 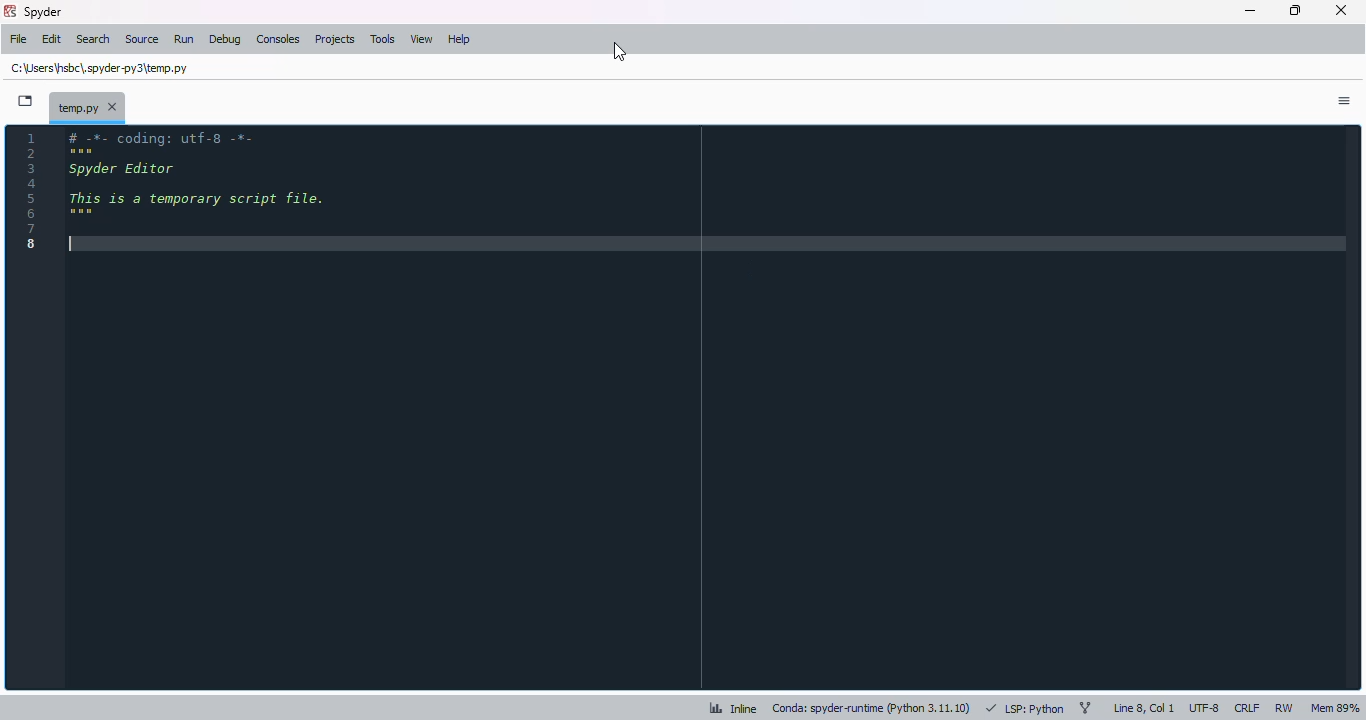 I want to click on inline, so click(x=734, y=708).